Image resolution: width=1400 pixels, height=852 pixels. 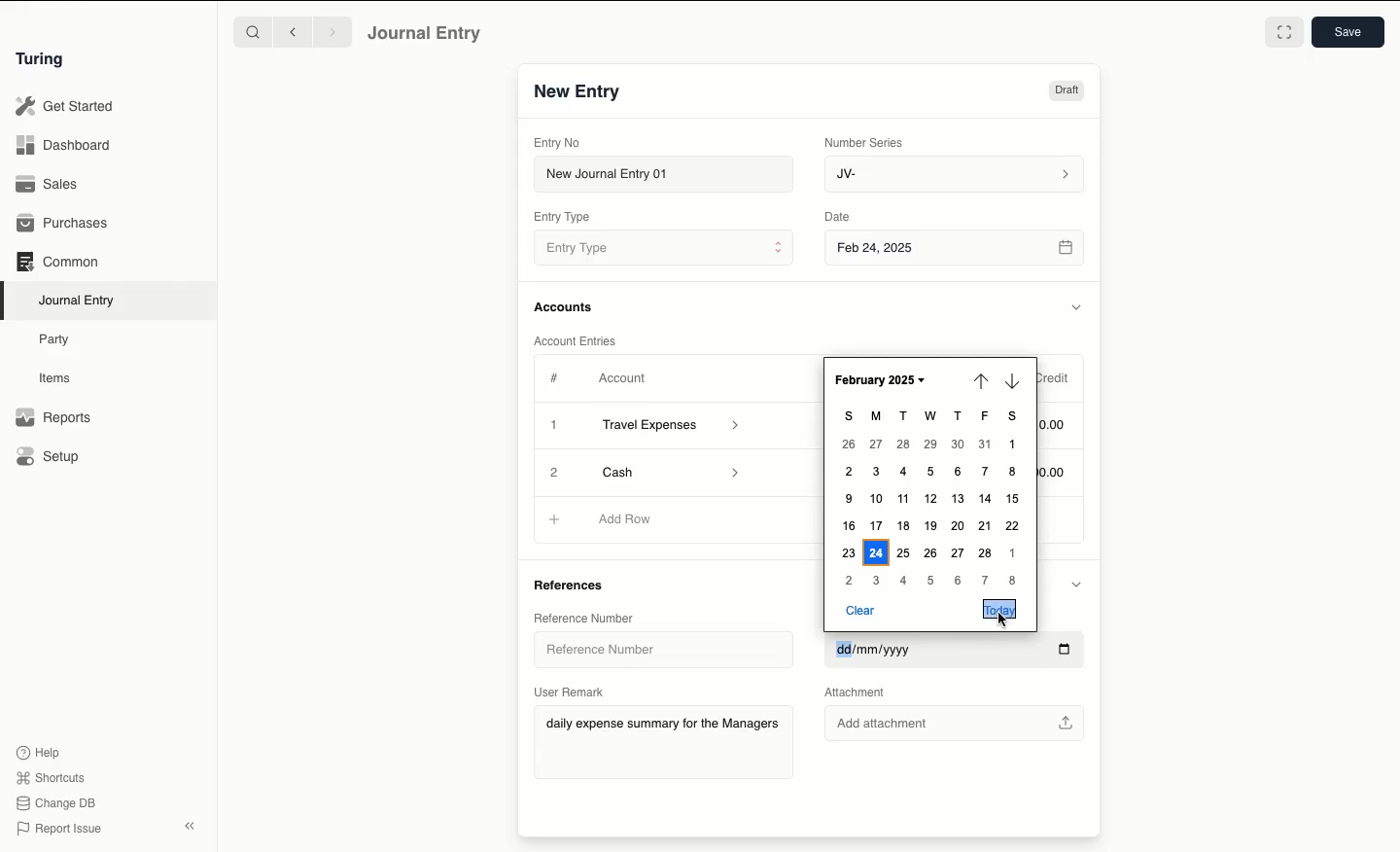 What do you see at coordinates (956, 175) in the screenshot?
I see `JV-` at bounding box center [956, 175].